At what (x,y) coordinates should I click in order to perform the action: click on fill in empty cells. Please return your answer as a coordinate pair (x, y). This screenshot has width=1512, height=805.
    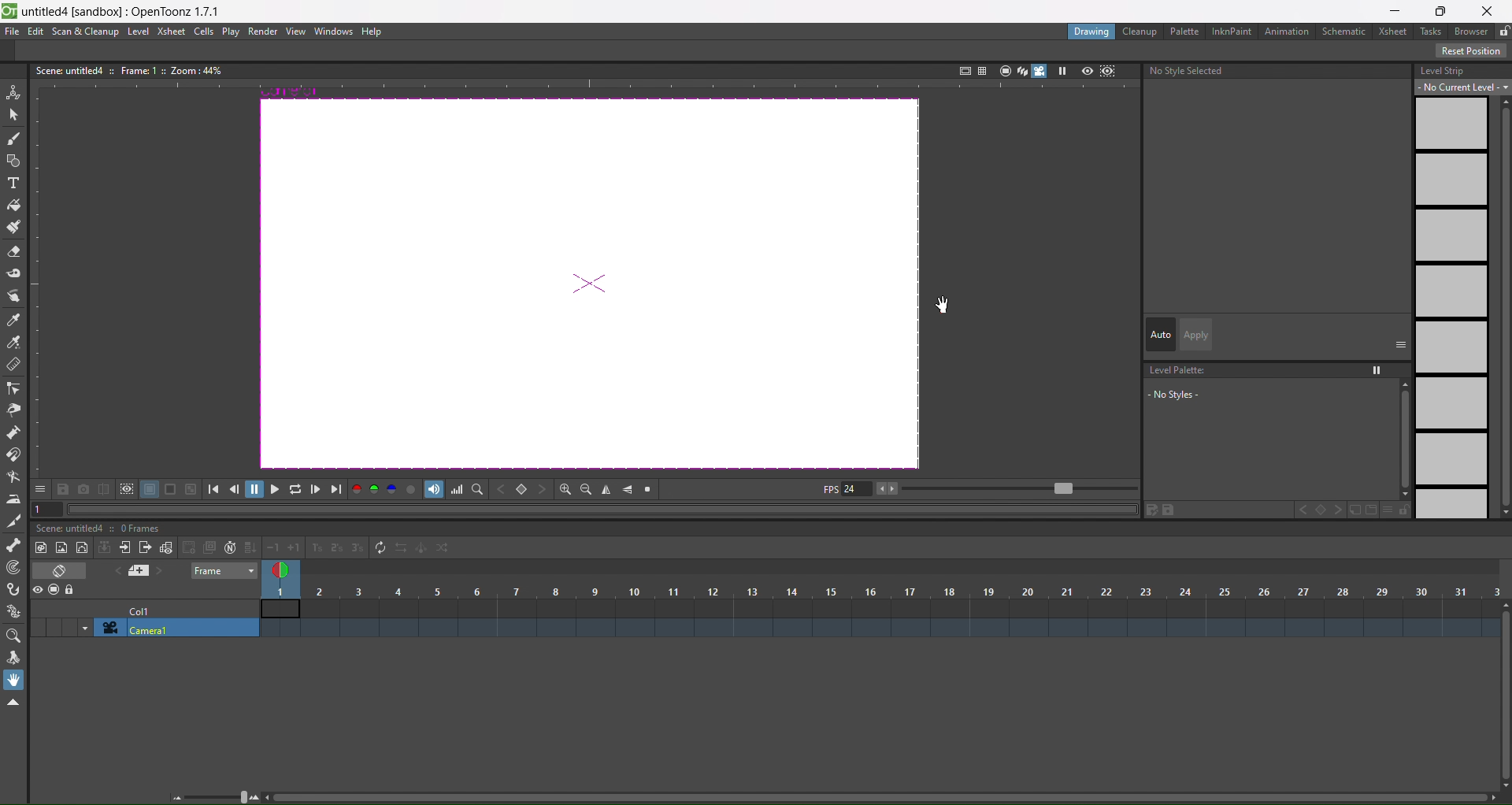
    Looking at the image, I should click on (249, 547).